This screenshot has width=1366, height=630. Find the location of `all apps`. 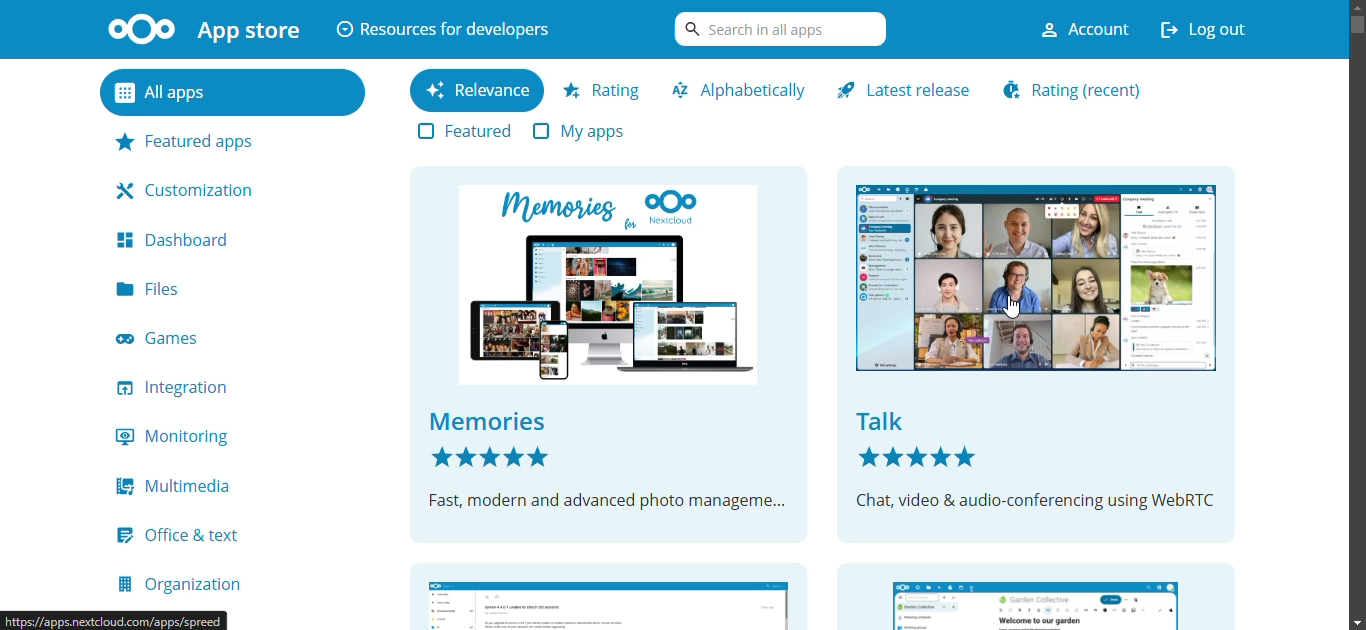

all apps is located at coordinates (203, 93).